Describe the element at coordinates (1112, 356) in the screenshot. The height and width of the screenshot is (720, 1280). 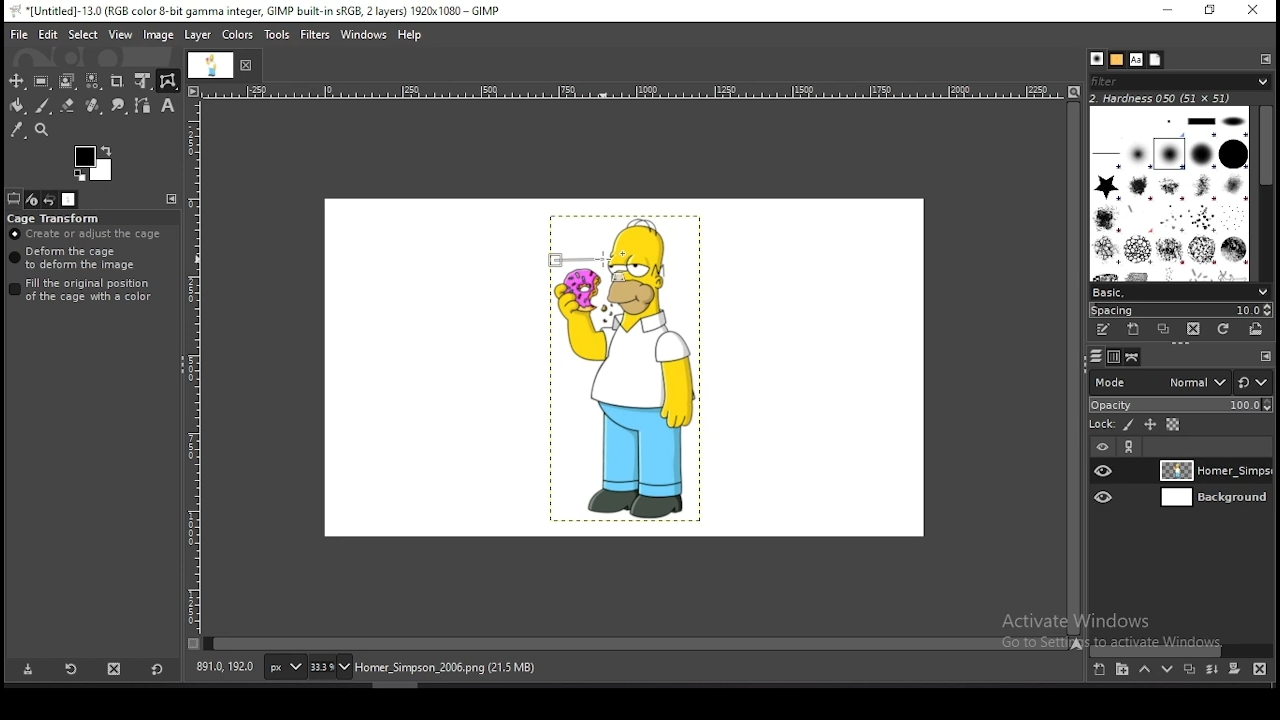
I see `channels` at that location.